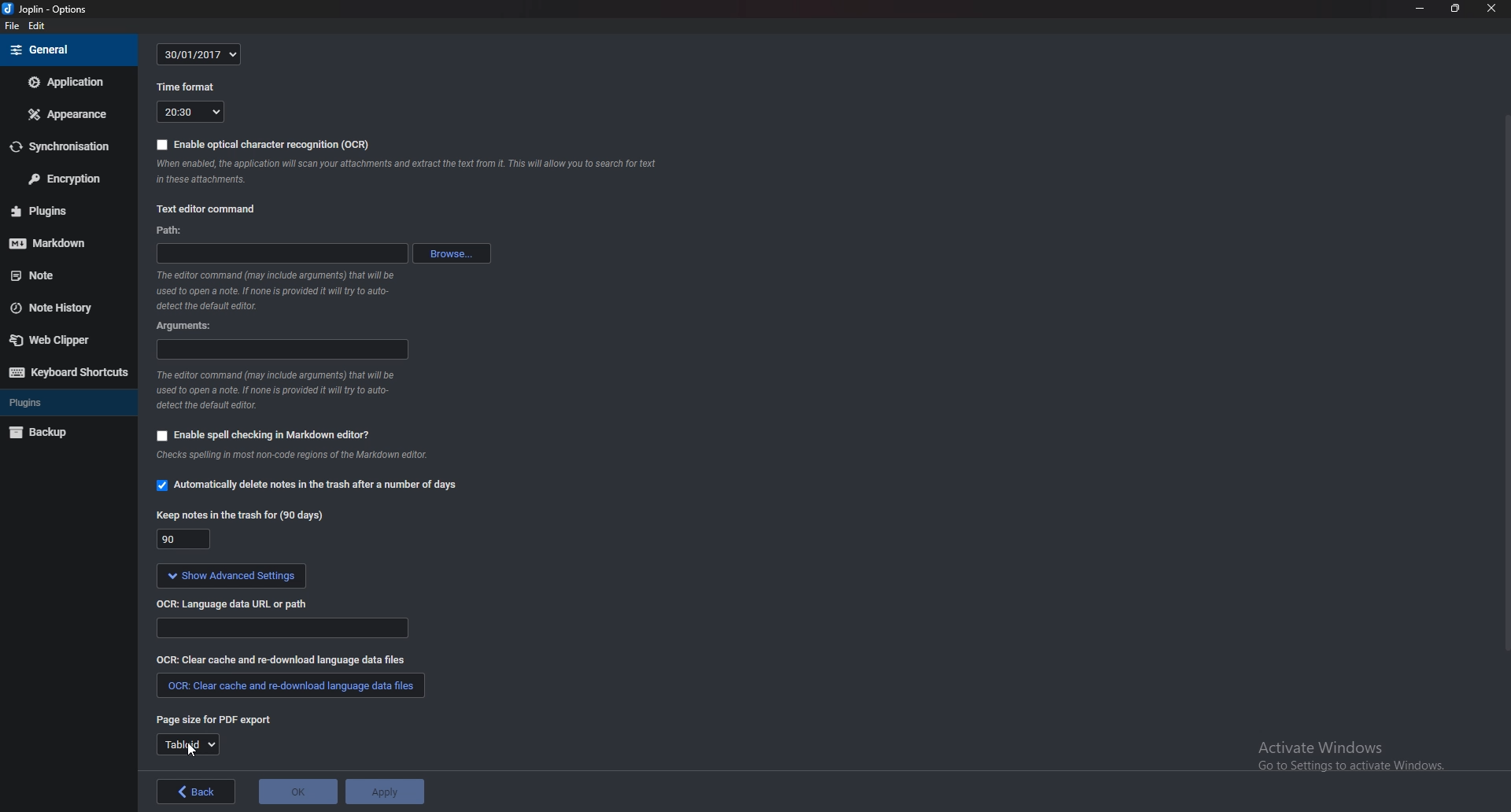 The image size is (1511, 812). What do you see at coordinates (13, 26) in the screenshot?
I see `file` at bounding box center [13, 26].